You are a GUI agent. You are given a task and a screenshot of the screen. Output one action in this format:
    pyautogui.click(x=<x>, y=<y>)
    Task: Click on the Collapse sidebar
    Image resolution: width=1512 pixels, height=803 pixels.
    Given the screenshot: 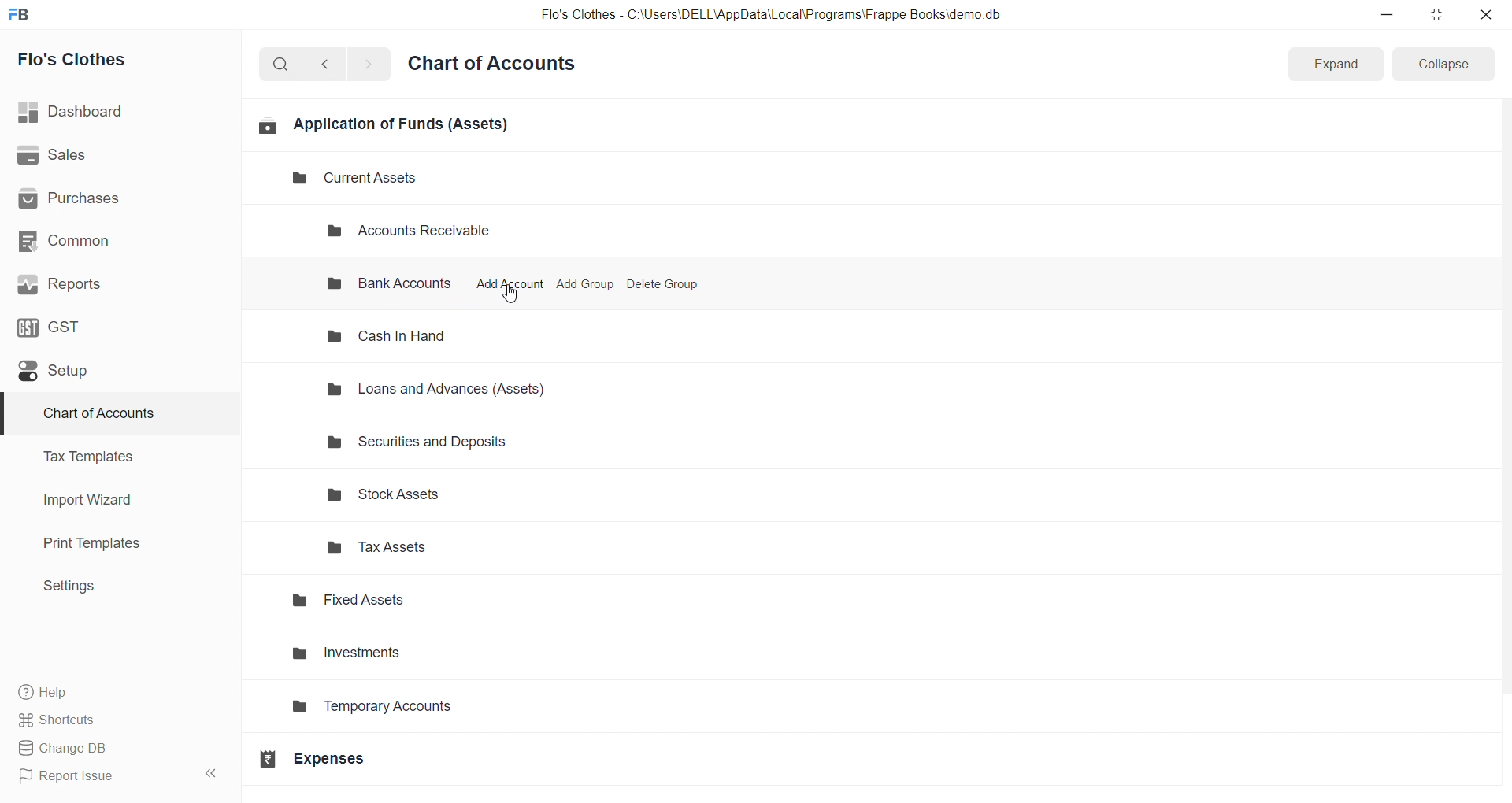 What is the action you would take?
    pyautogui.click(x=213, y=776)
    